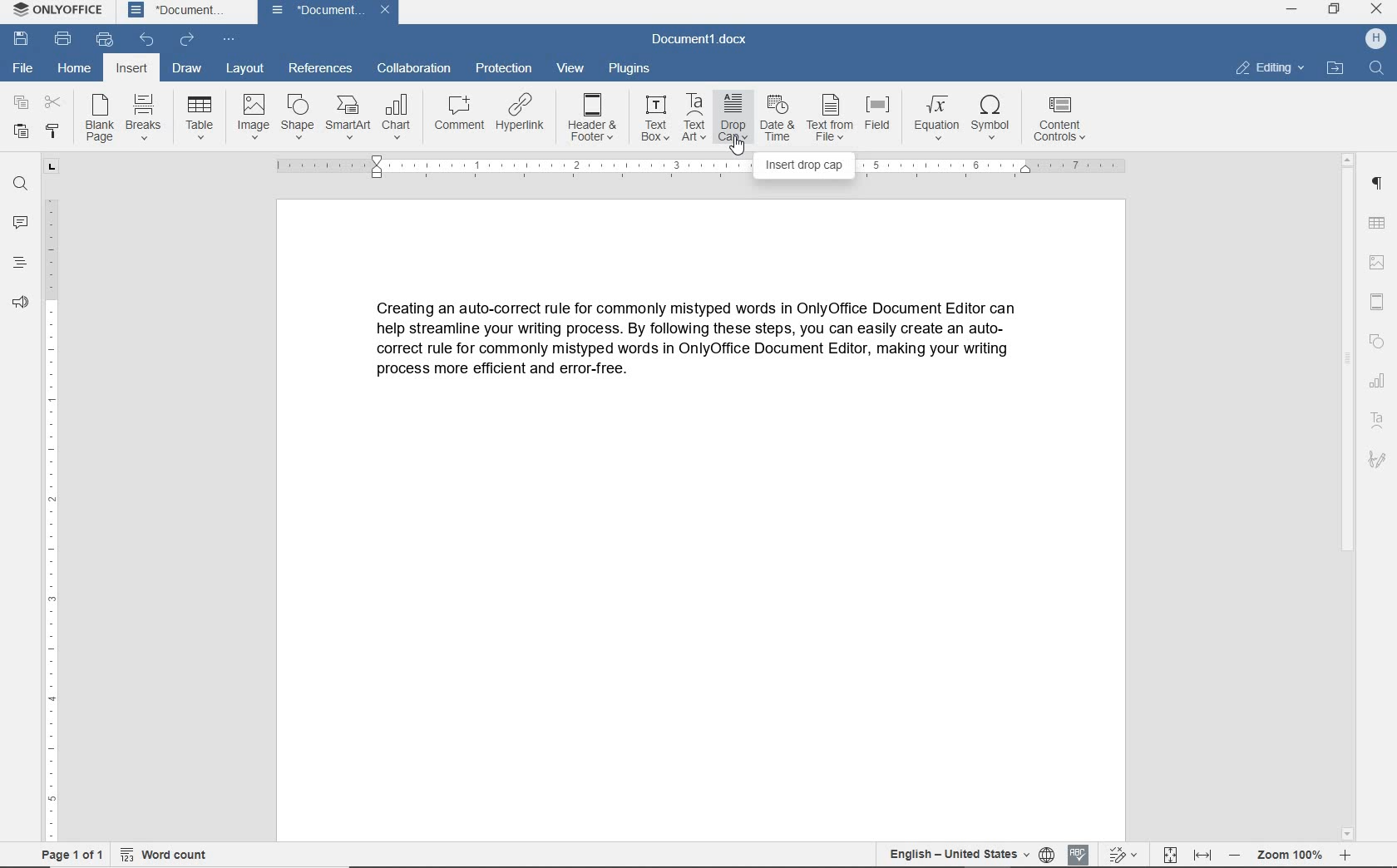  Describe the element at coordinates (1379, 460) in the screenshot. I see `signature` at that location.